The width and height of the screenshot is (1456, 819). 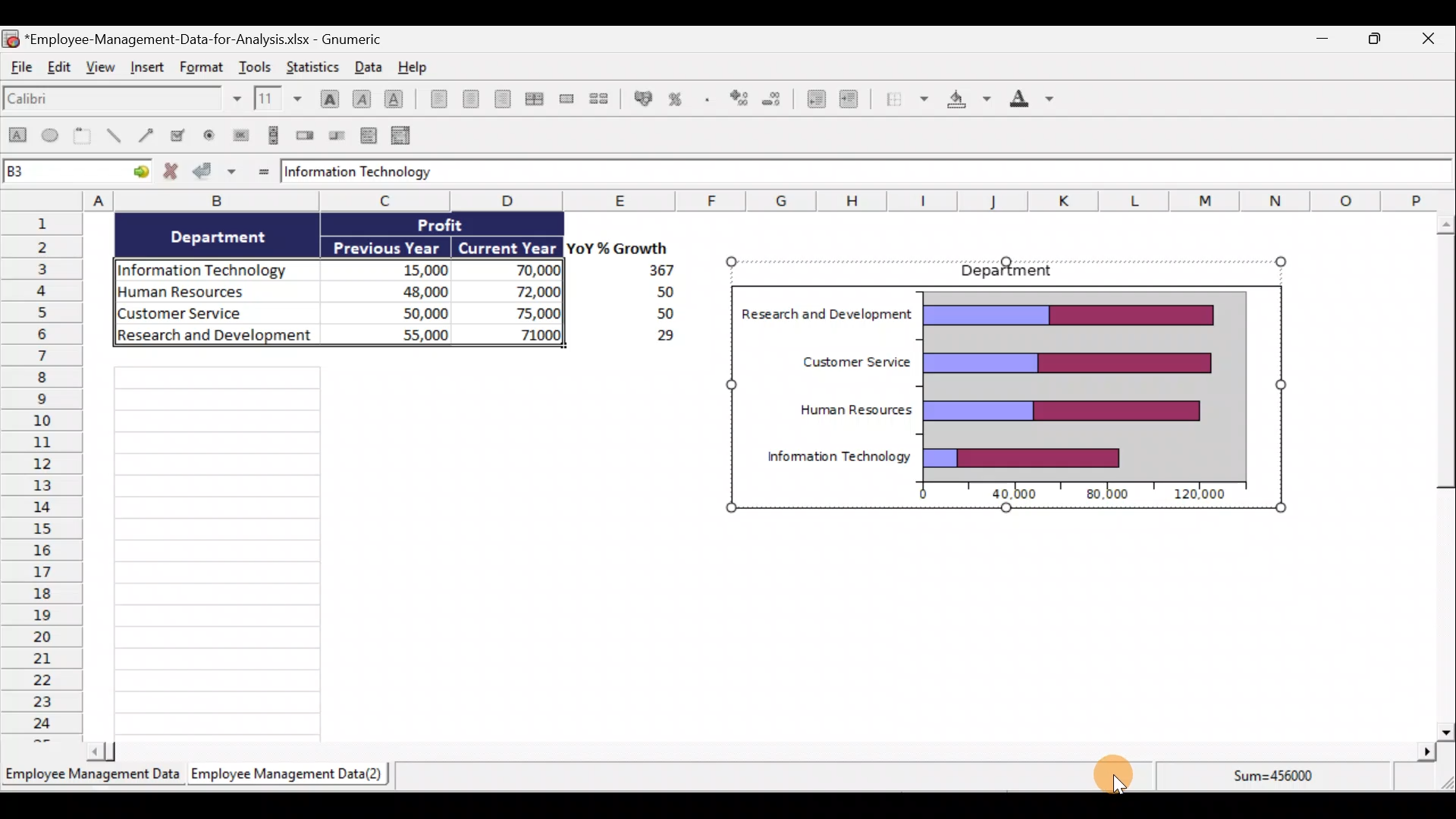 I want to click on Chart title, so click(x=1011, y=271).